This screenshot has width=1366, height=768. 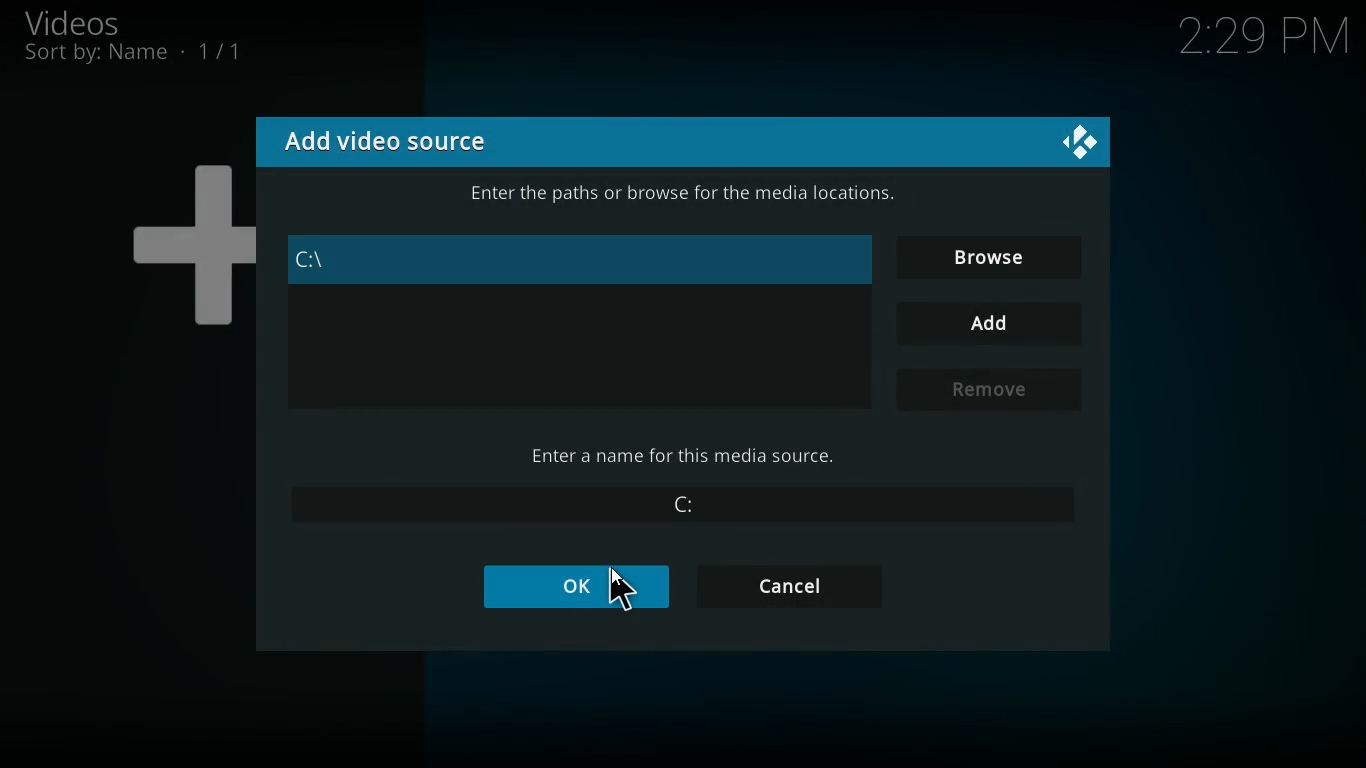 I want to click on 2:29 PM, so click(x=1264, y=41).